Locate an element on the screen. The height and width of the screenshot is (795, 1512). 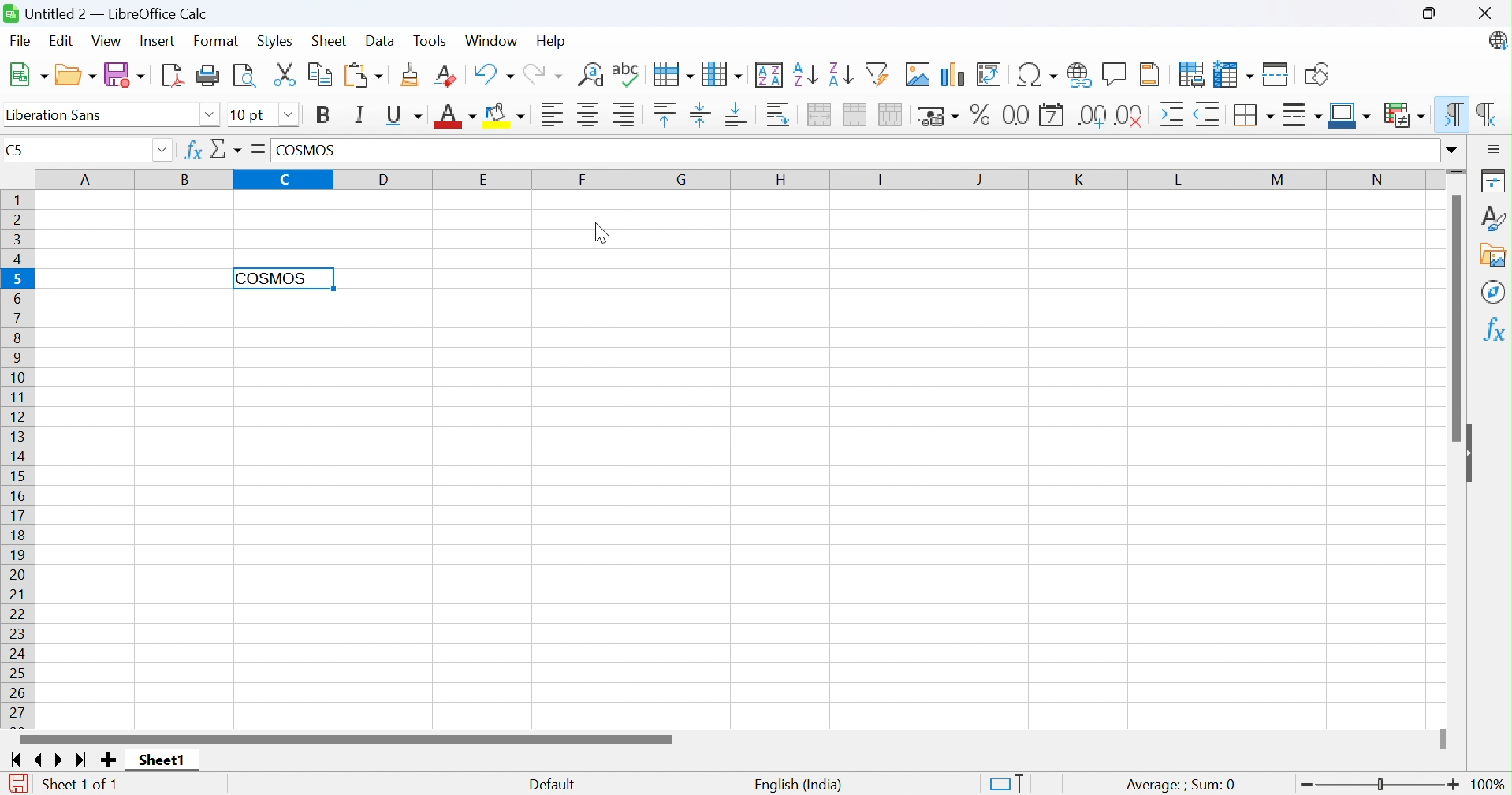
Name box is located at coordinates (79, 151).